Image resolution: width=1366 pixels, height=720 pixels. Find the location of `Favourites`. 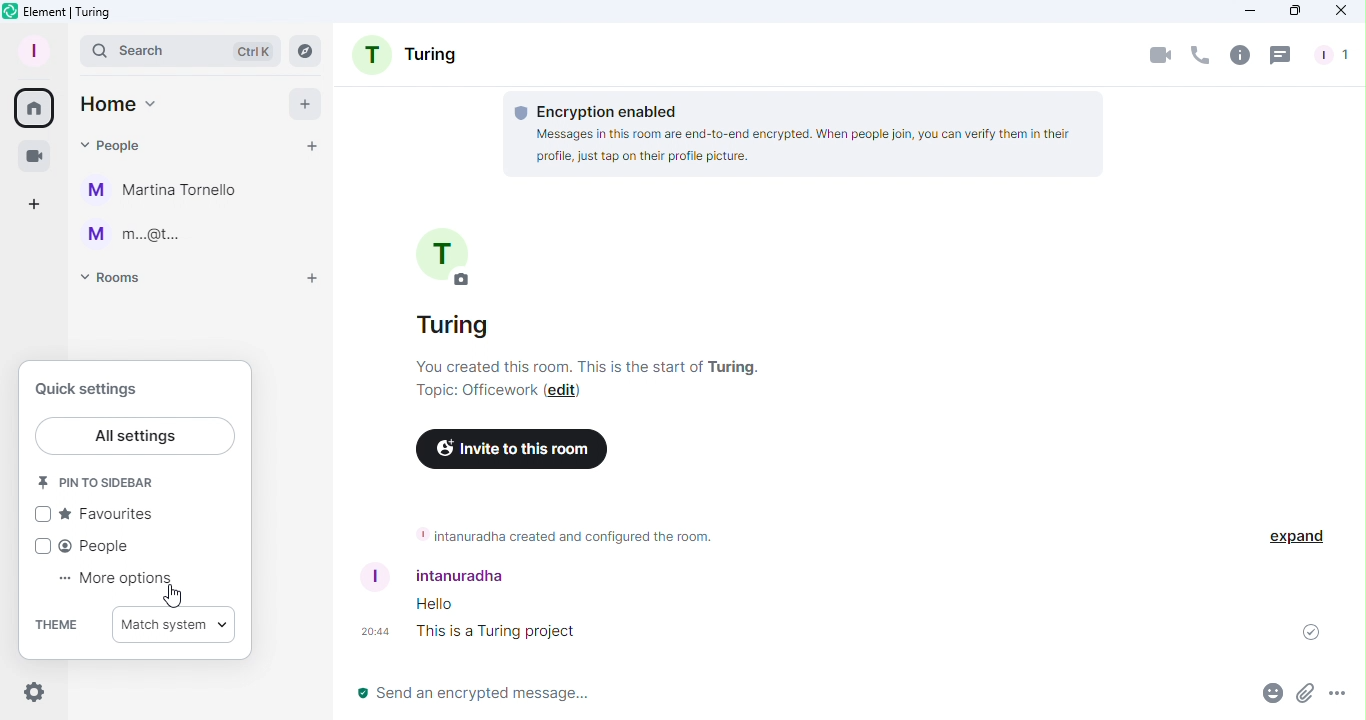

Favourites is located at coordinates (93, 513).